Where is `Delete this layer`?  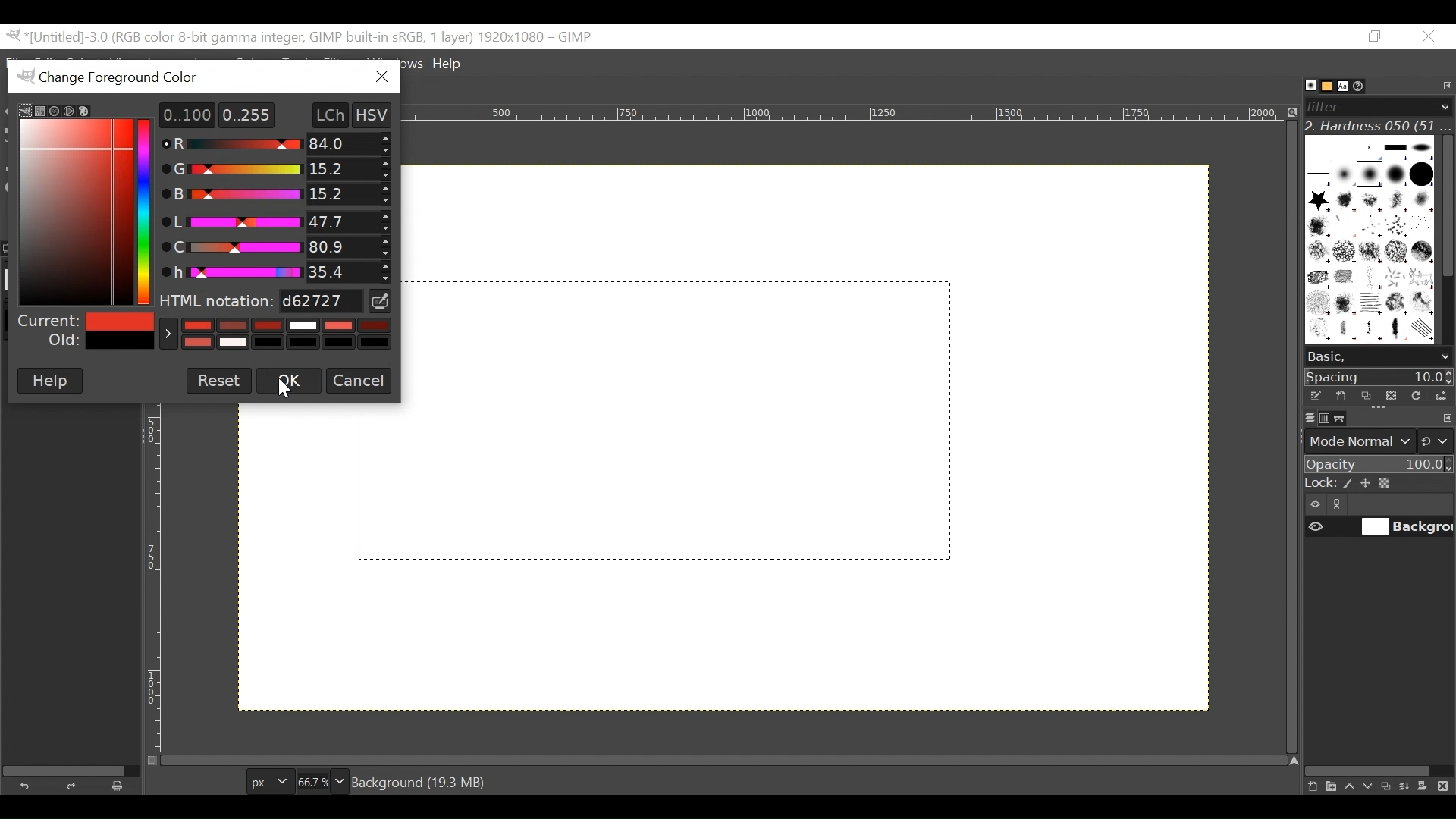 Delete this layer is located at coordinates (1446, 787).